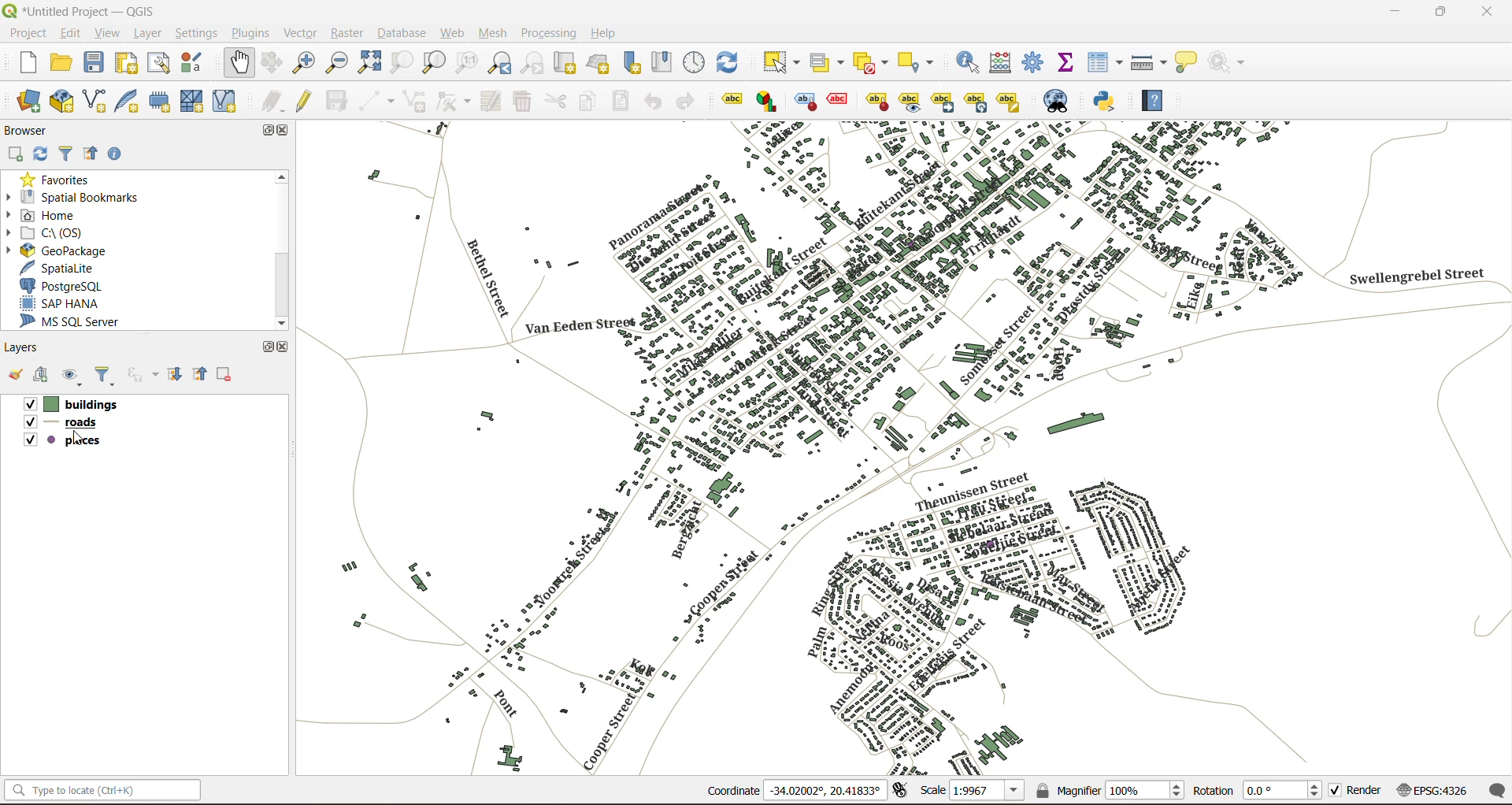  What do you see at coordinates (349, 35) in the screenshot?
I see `raster` at bounding box center [349, 35].